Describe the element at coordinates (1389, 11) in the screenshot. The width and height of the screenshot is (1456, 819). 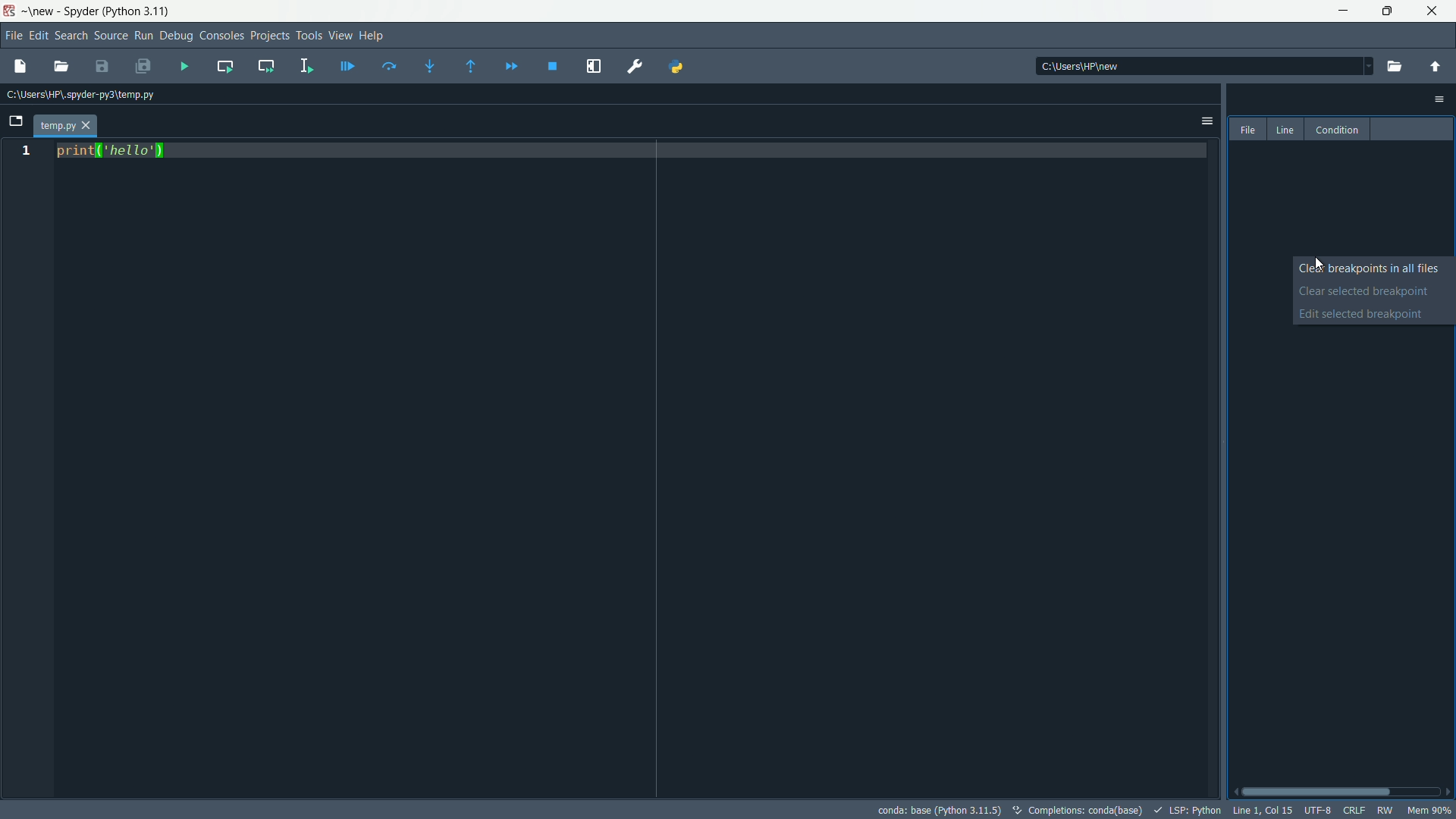
I see `maximize` at that location.